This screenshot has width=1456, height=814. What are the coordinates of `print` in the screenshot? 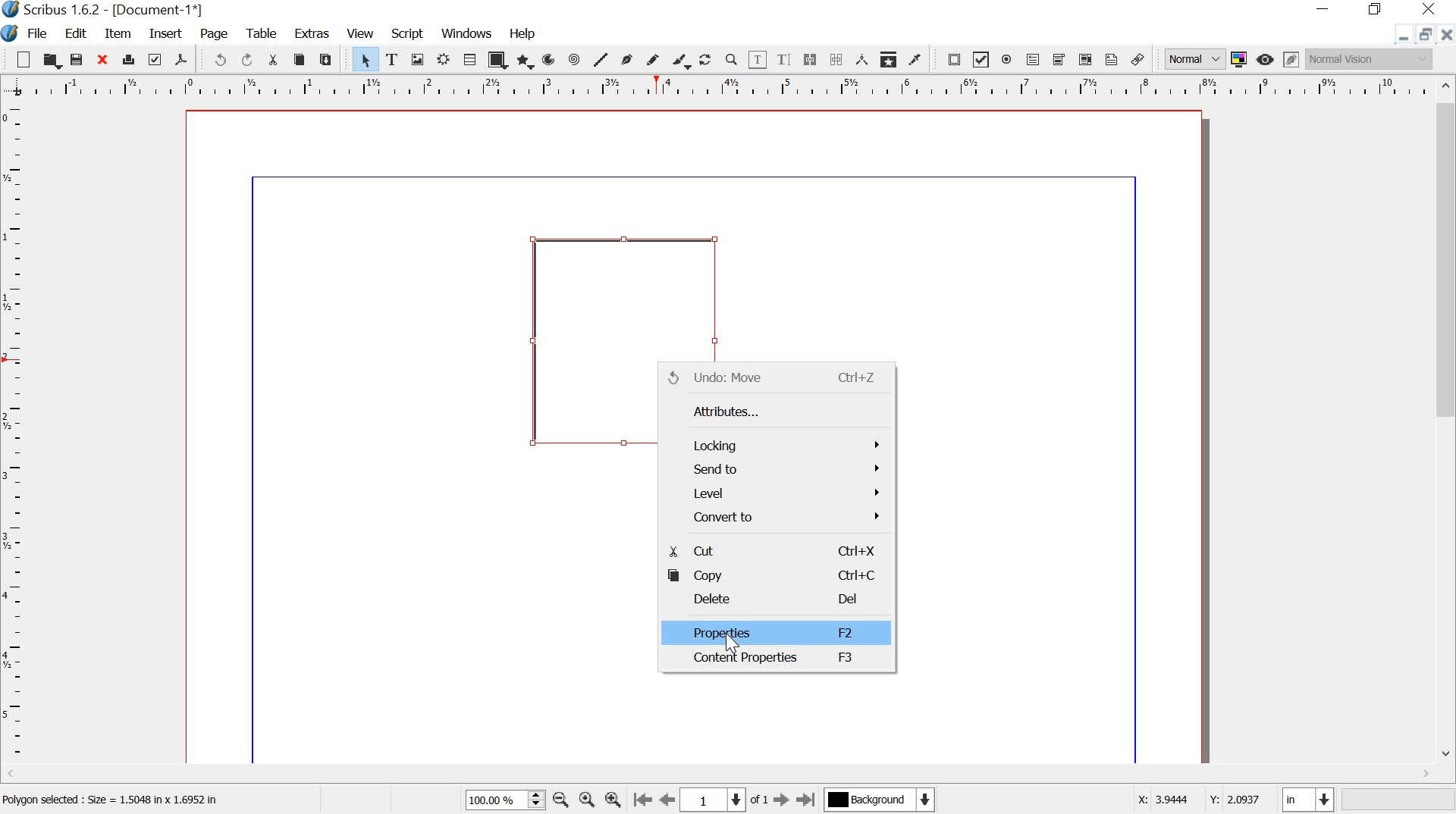 It's located at (129, 59).